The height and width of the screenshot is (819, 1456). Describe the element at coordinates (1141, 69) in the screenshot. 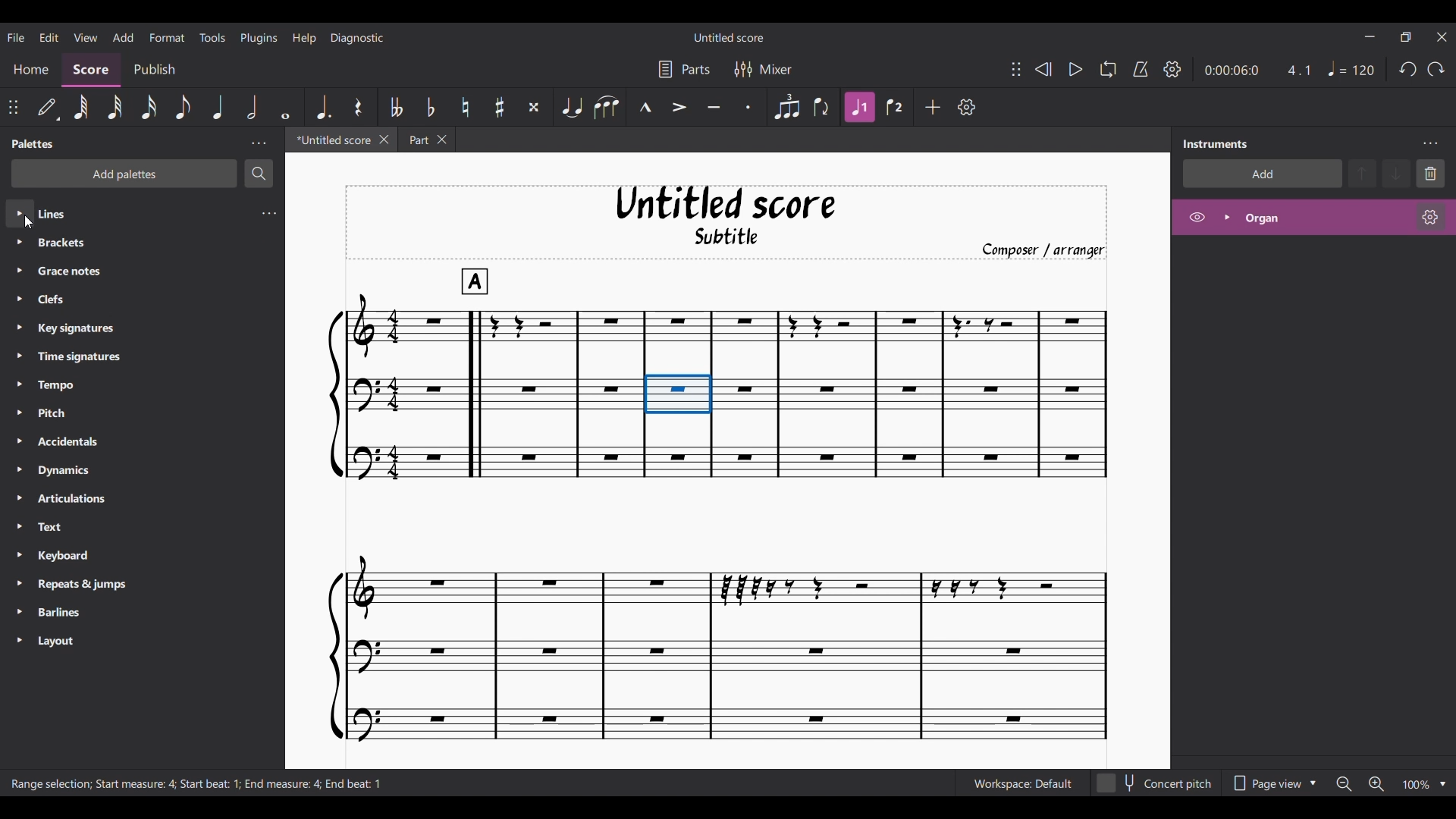

I see `Metronome` at that location.